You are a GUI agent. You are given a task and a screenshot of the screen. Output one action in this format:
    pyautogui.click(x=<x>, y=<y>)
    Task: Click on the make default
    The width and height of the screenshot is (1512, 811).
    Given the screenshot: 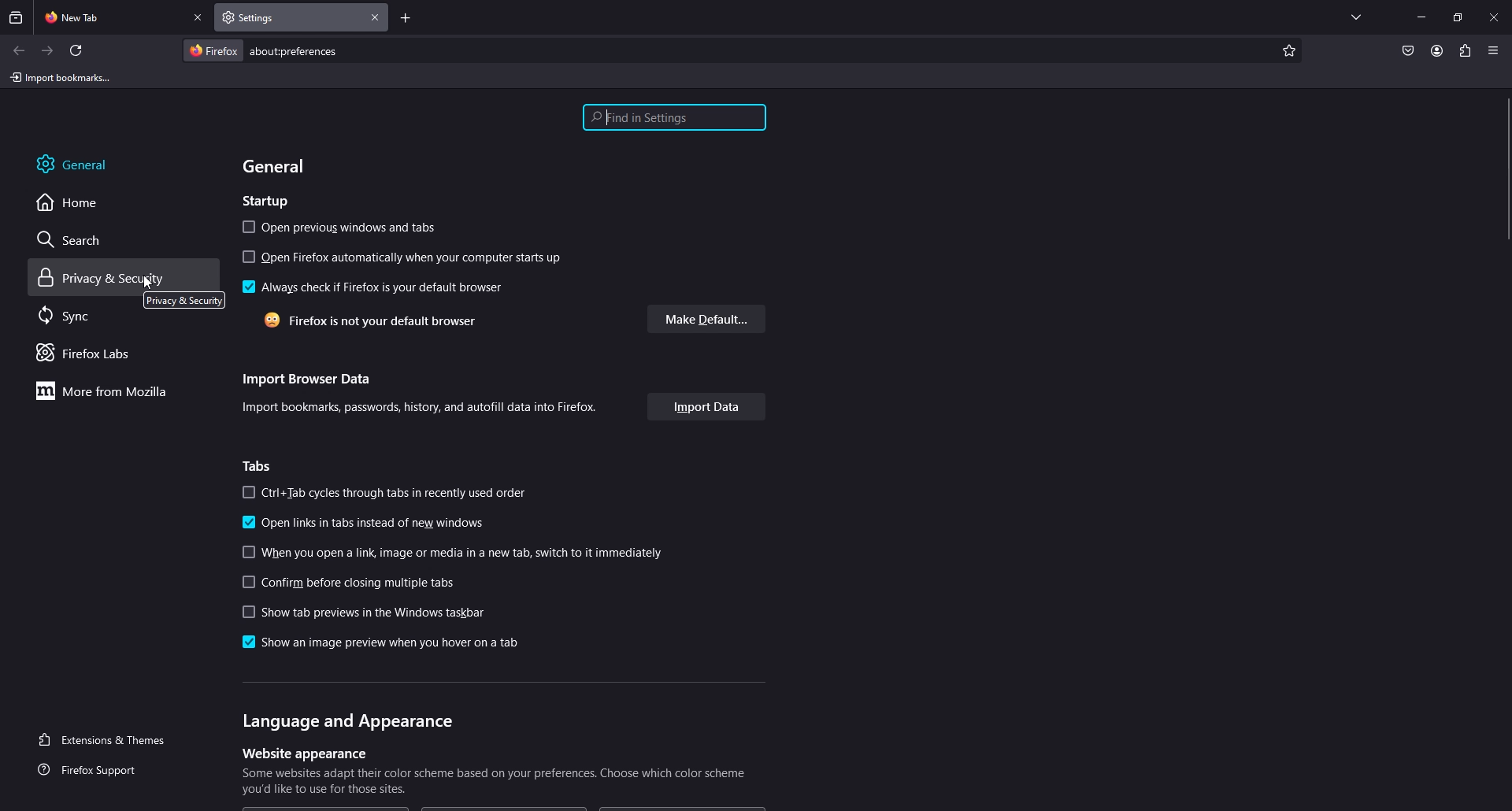 What is the action you would take?
    pyautogui.click(x=708, y=319)
    